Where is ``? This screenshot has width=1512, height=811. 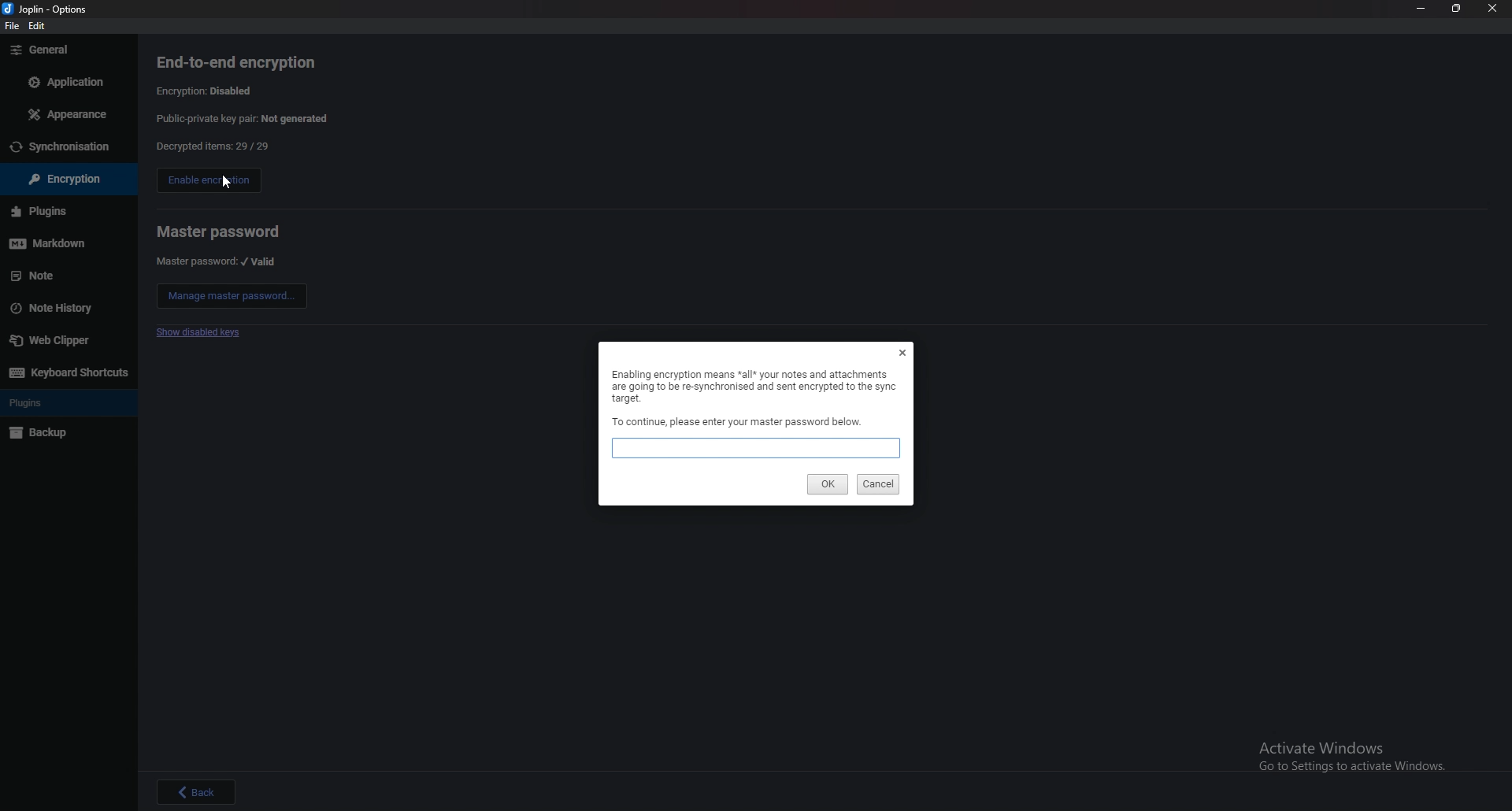  is located at coordinates (225, 181).